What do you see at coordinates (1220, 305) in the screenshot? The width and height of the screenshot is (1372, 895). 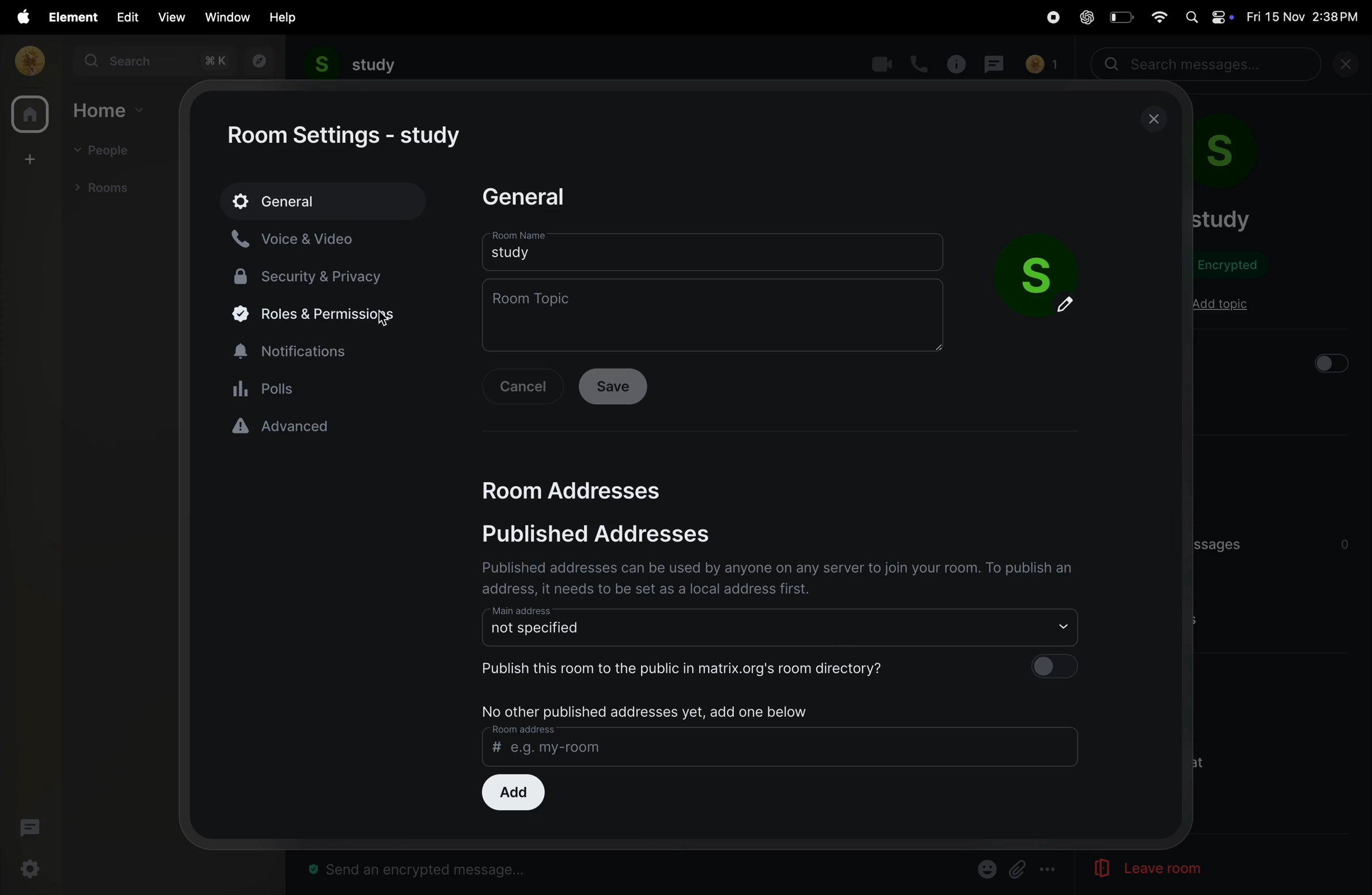 I see `add topic` at bounding box center [1220, 305].